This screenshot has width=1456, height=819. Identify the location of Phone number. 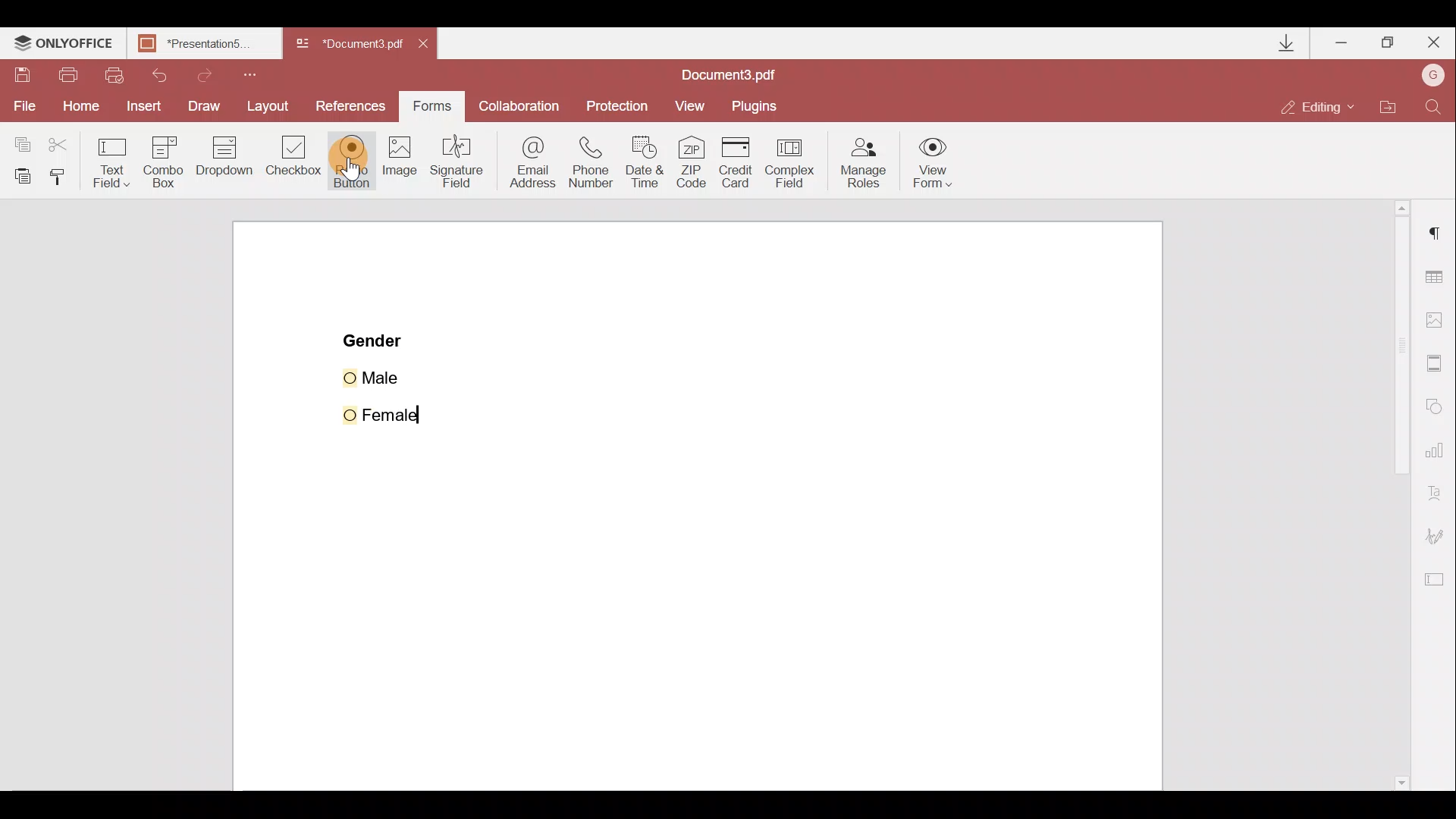
(597, 161).